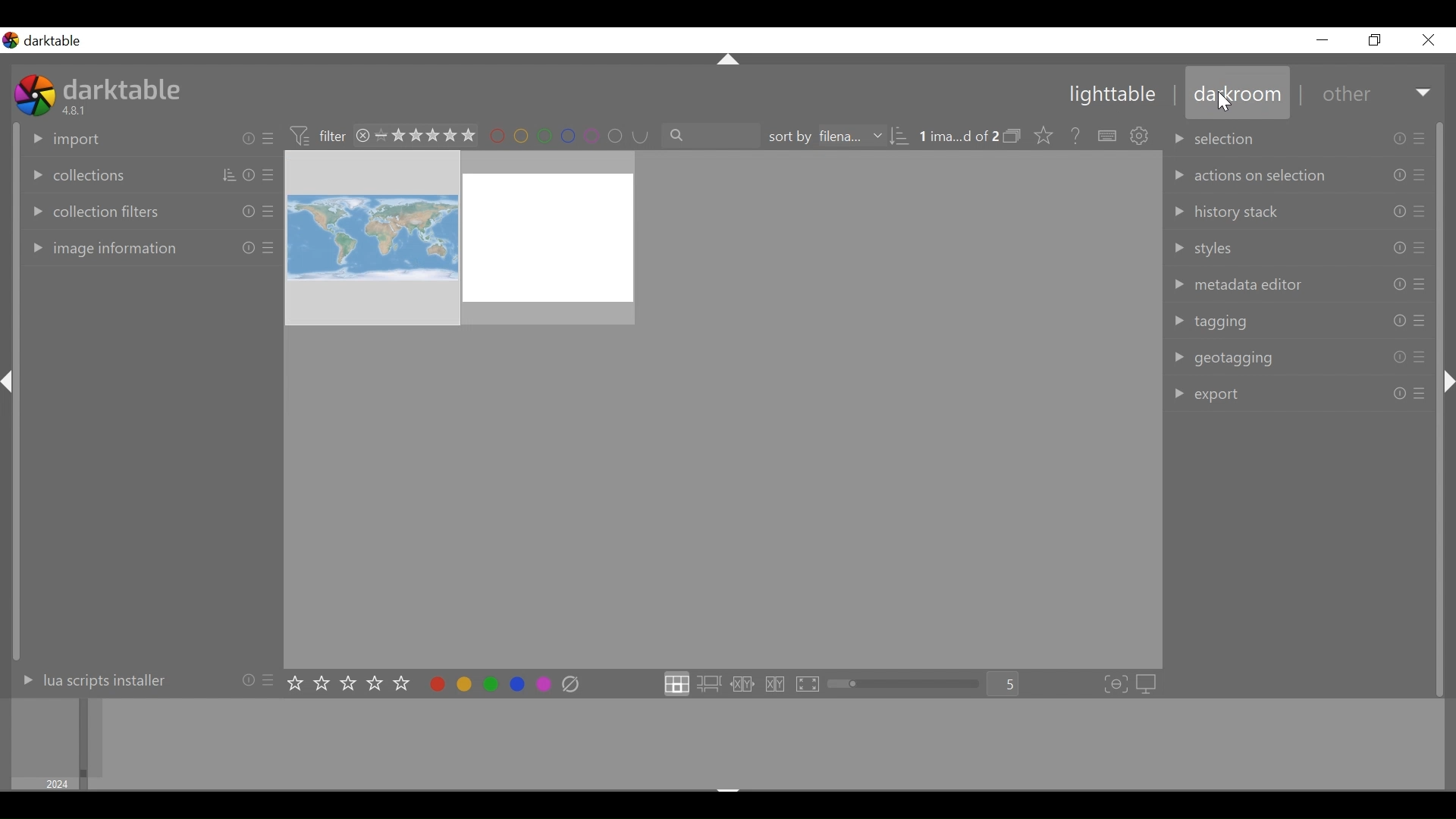 Image resolution: width=1456 pixels, height=819 pixels. Describe the element at coordinates (77, 111) in the screenshot. I see `4.8.1` at that location.